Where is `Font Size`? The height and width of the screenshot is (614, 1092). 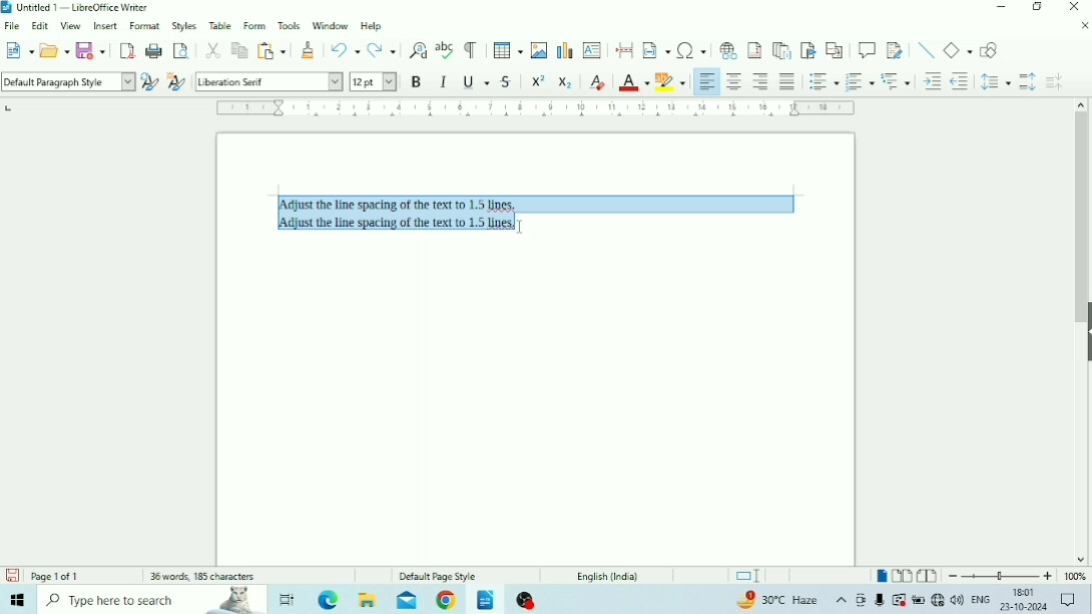 Font Size is located at coordinates (373, 81).